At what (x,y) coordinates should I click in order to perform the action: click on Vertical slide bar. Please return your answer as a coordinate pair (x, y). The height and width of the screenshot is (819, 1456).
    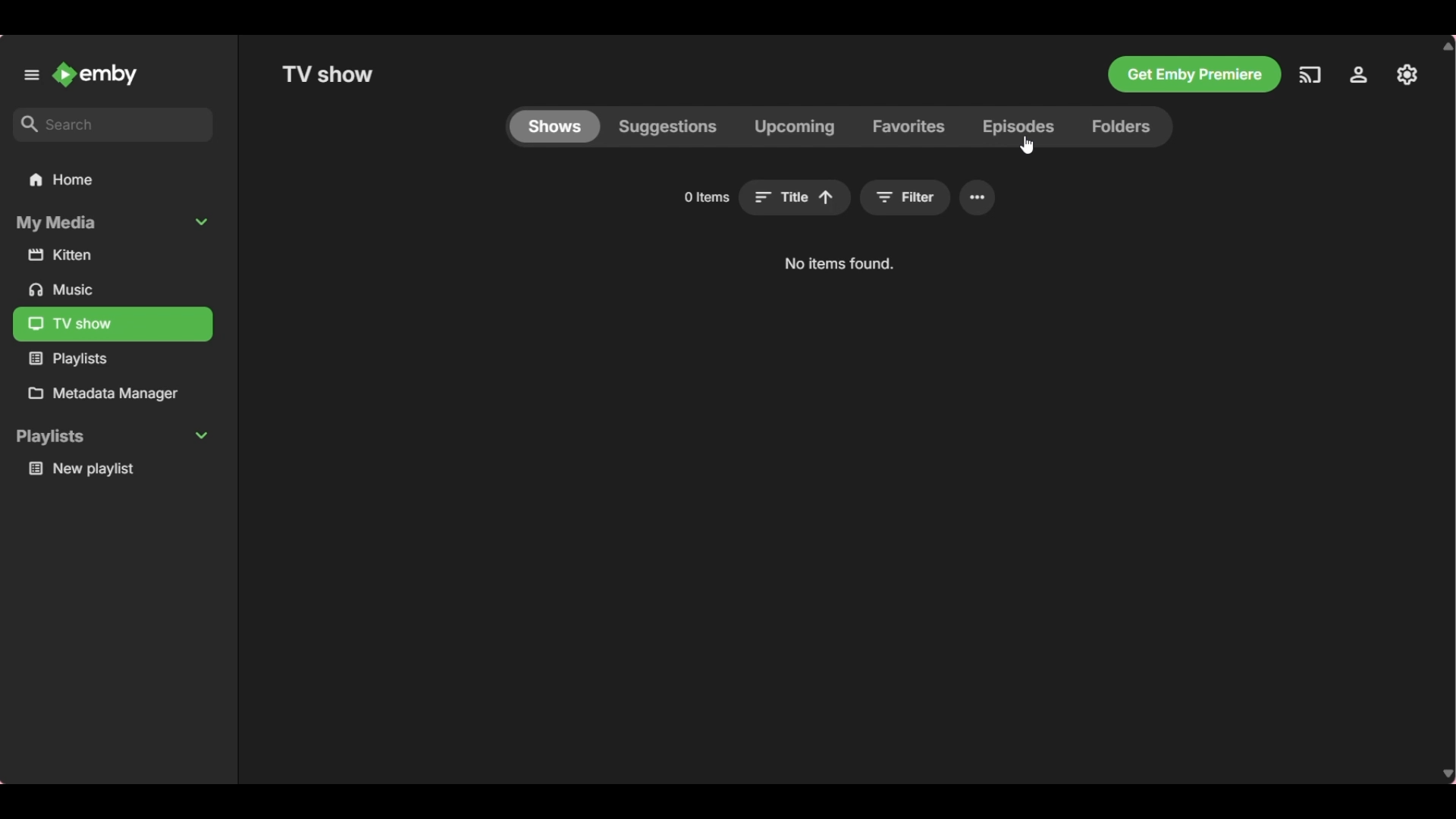
    Looking at the image, I should click on (1447, 226).